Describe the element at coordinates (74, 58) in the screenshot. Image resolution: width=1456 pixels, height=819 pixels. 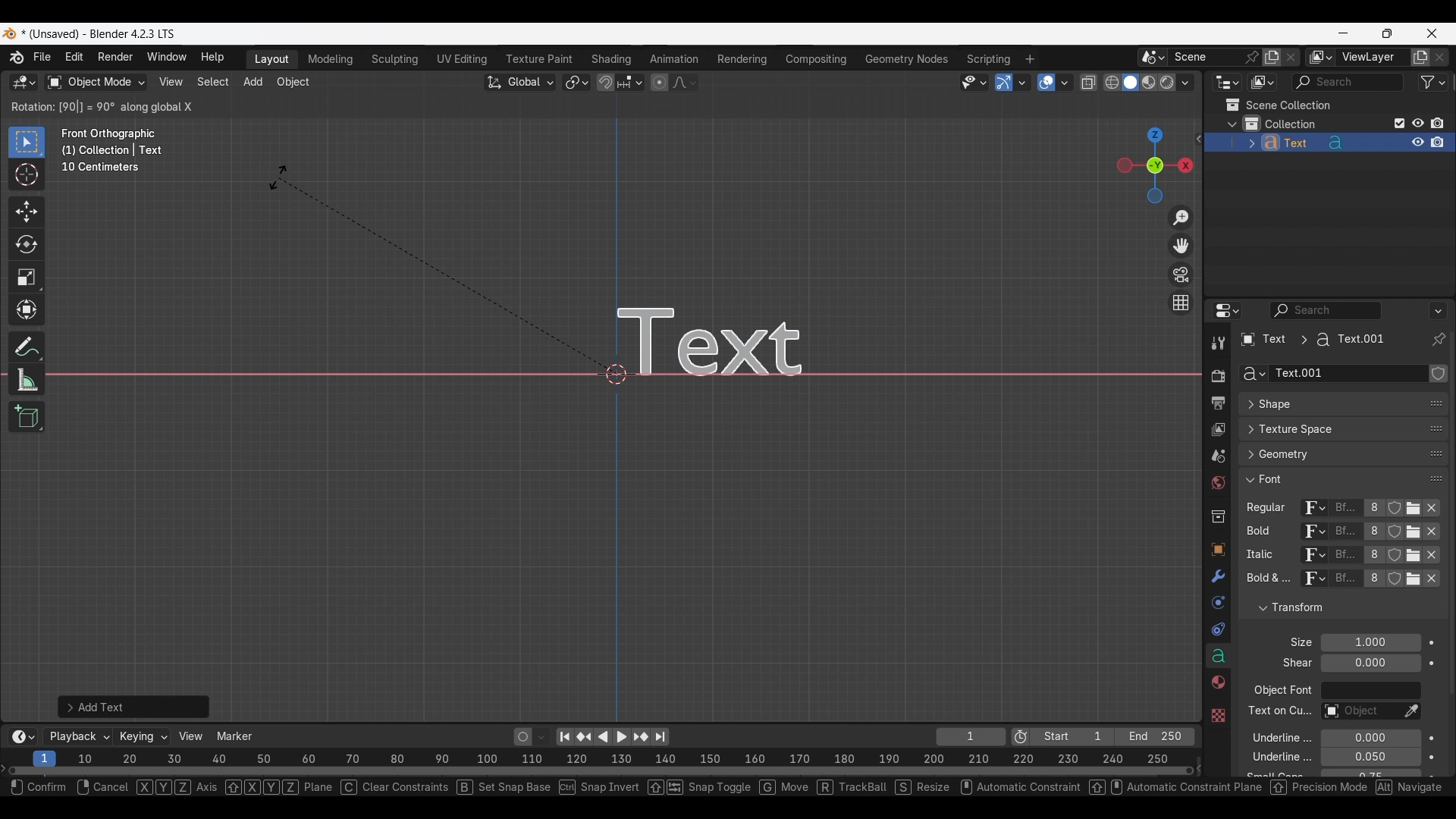
I see `Edit menu` at that location.